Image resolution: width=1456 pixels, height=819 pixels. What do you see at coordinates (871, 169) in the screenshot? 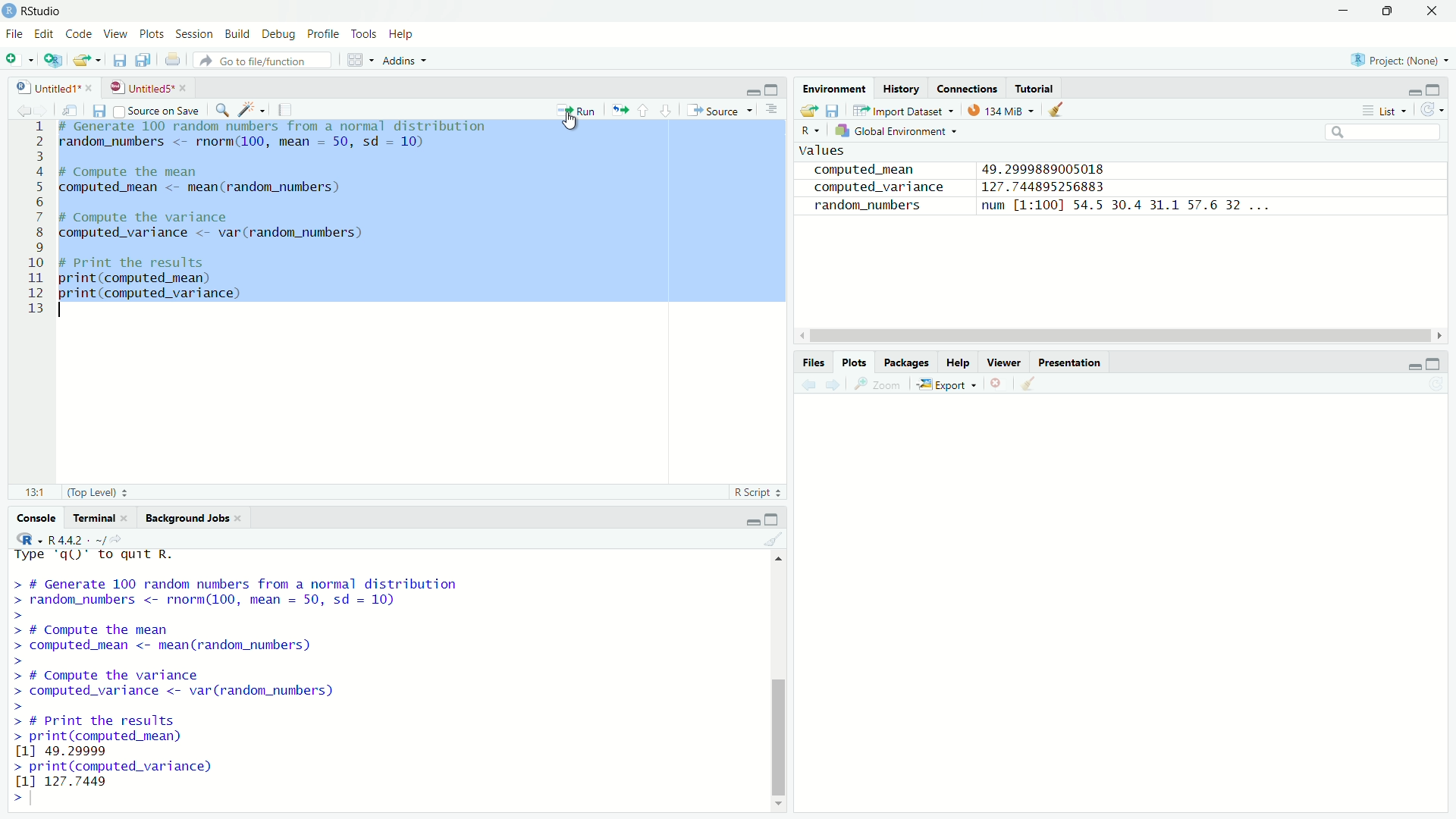
I see `computed_mean` at bounding box center [871, 169].